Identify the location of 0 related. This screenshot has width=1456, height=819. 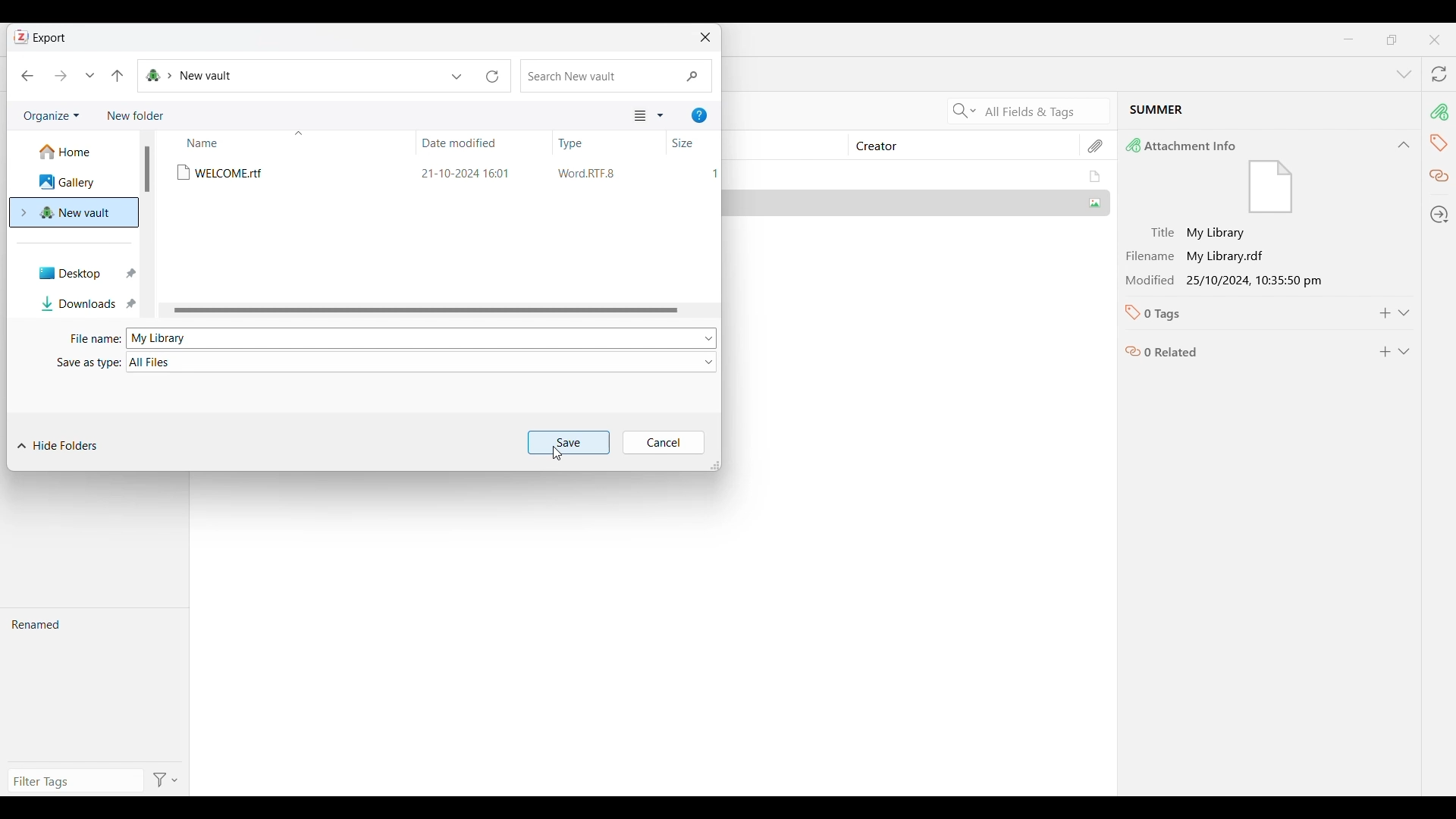
(1241, 348).